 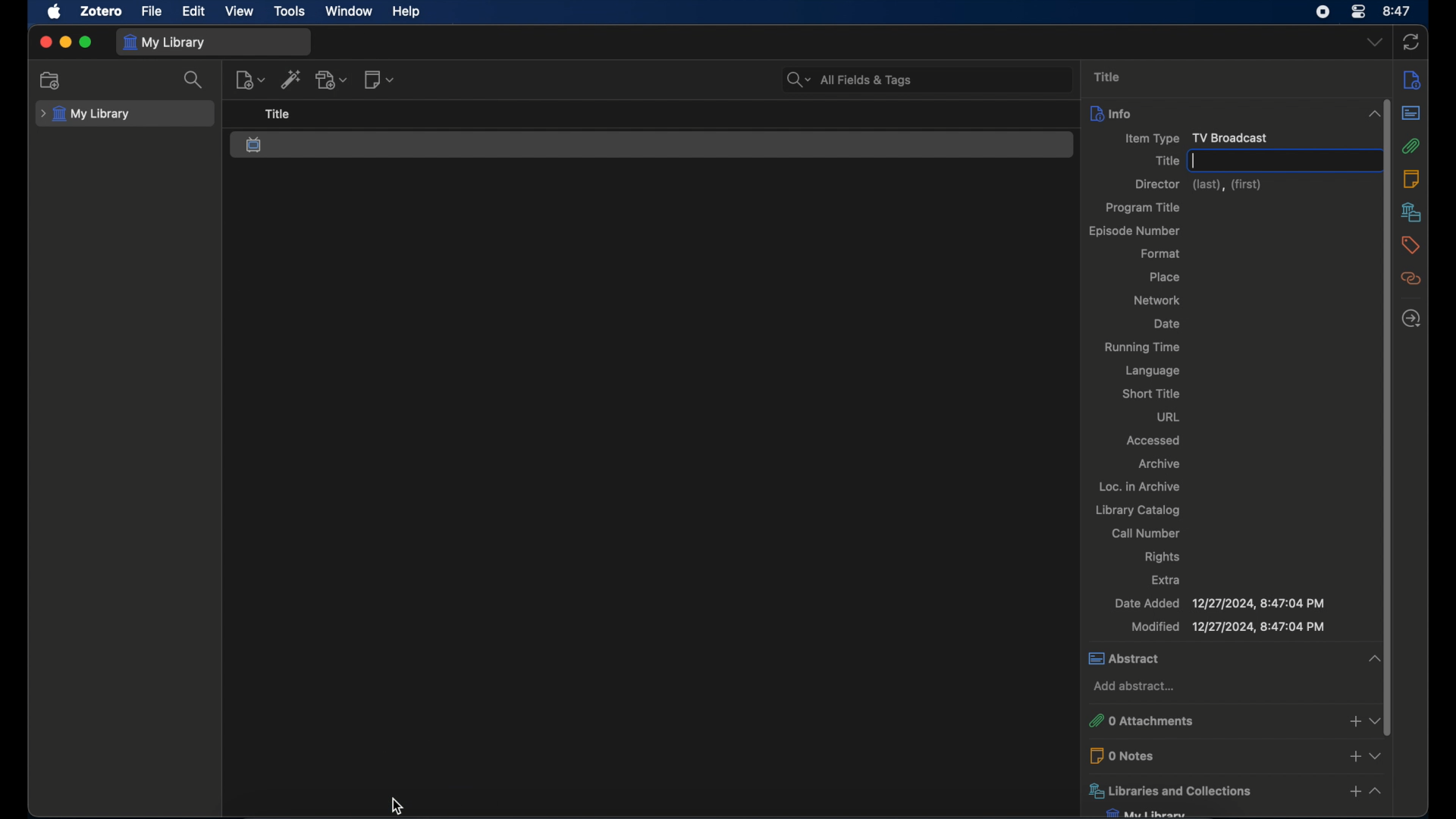 I want to click on text input, so click(x=1282, y=161).